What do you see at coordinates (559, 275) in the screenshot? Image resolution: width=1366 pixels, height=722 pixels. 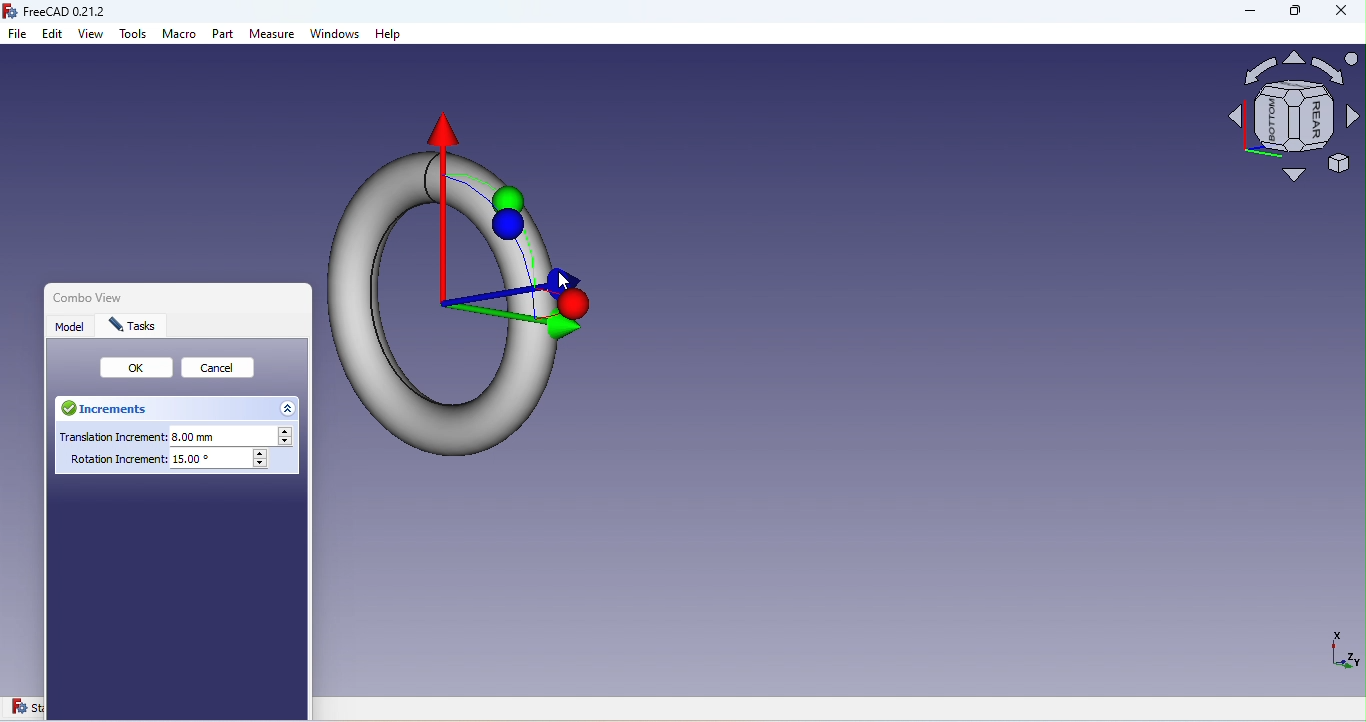 I see `Move to Z-axis` at bounding box center [559, 275].